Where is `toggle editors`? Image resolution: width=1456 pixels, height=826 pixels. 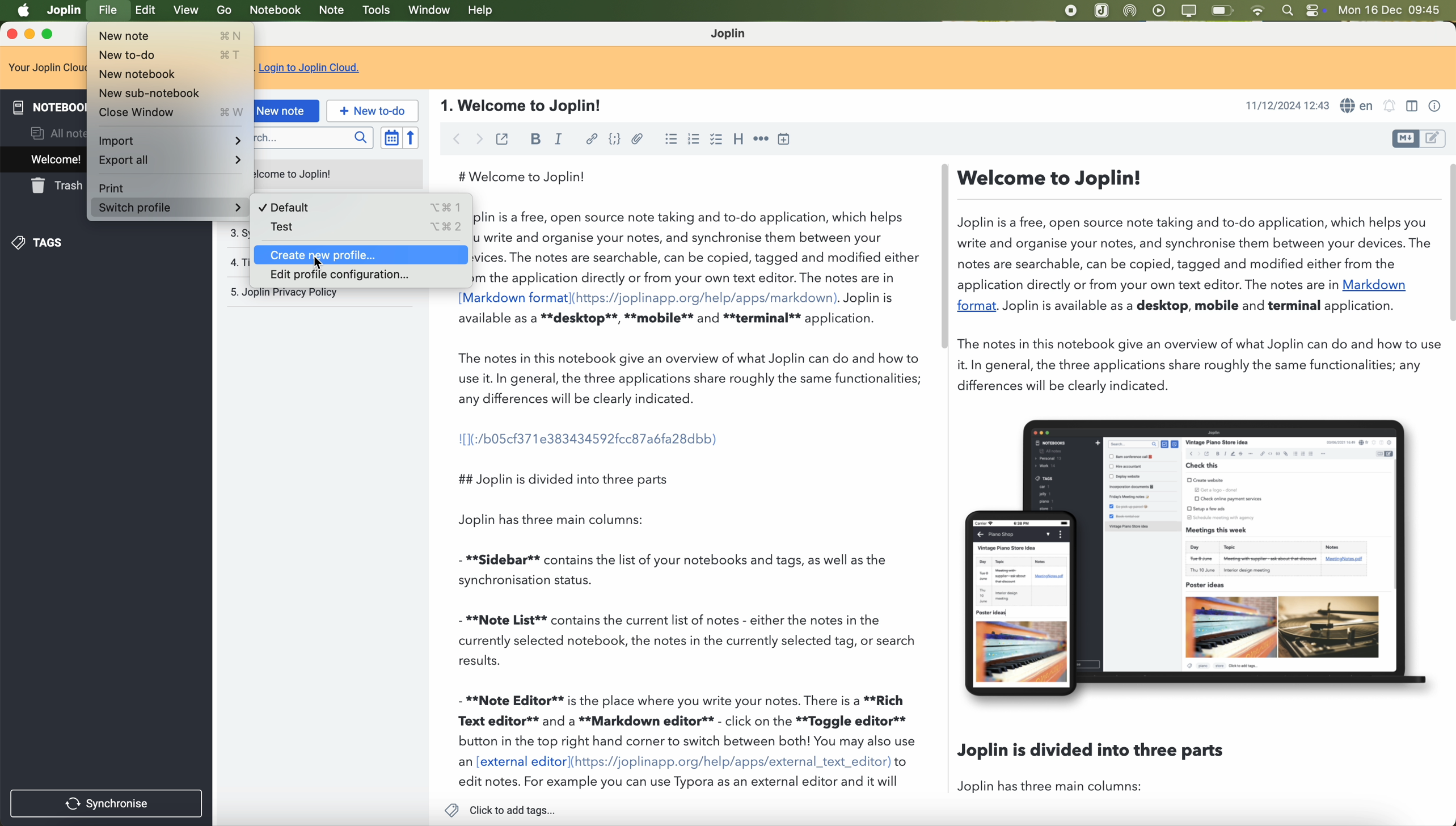 toggle editors is located at coordinates (1436, 137).